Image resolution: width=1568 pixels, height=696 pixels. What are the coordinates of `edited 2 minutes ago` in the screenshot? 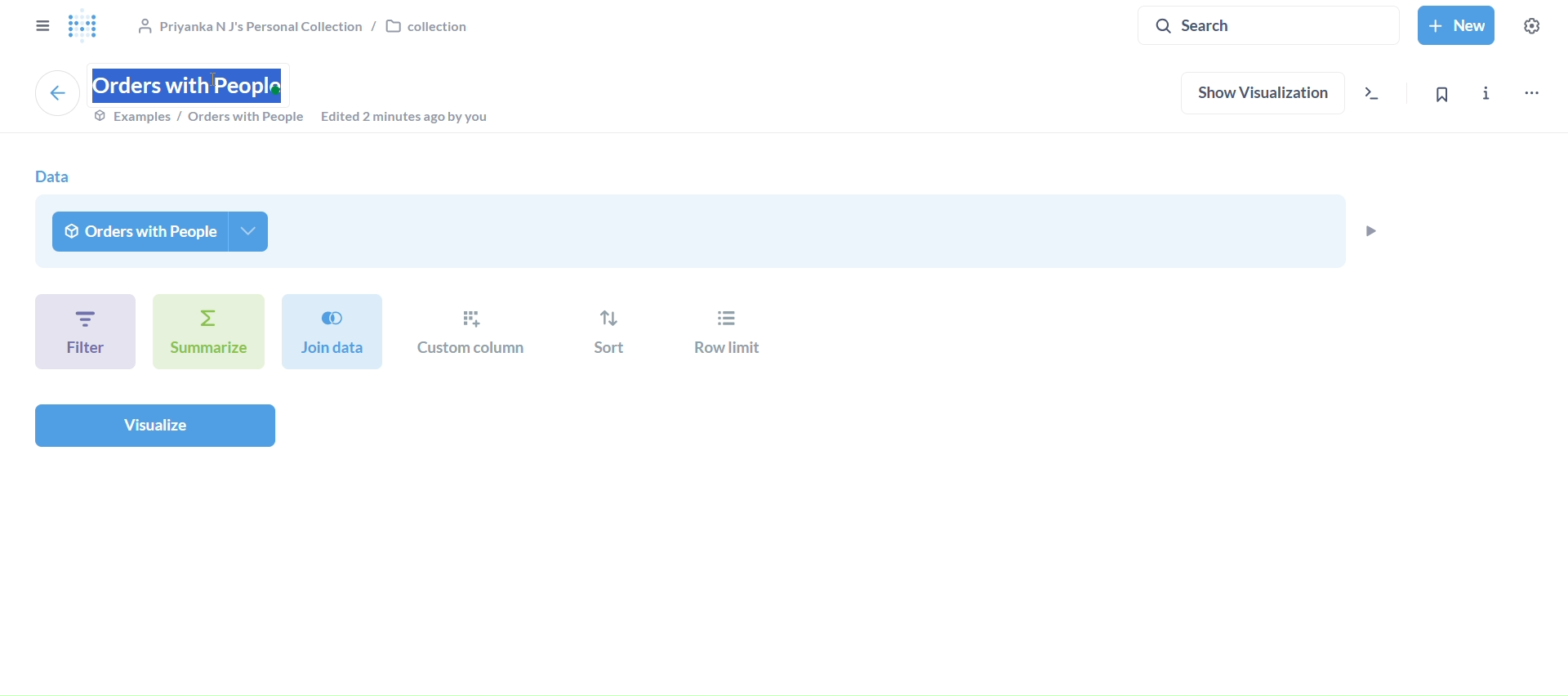 It's located at (412, 118).